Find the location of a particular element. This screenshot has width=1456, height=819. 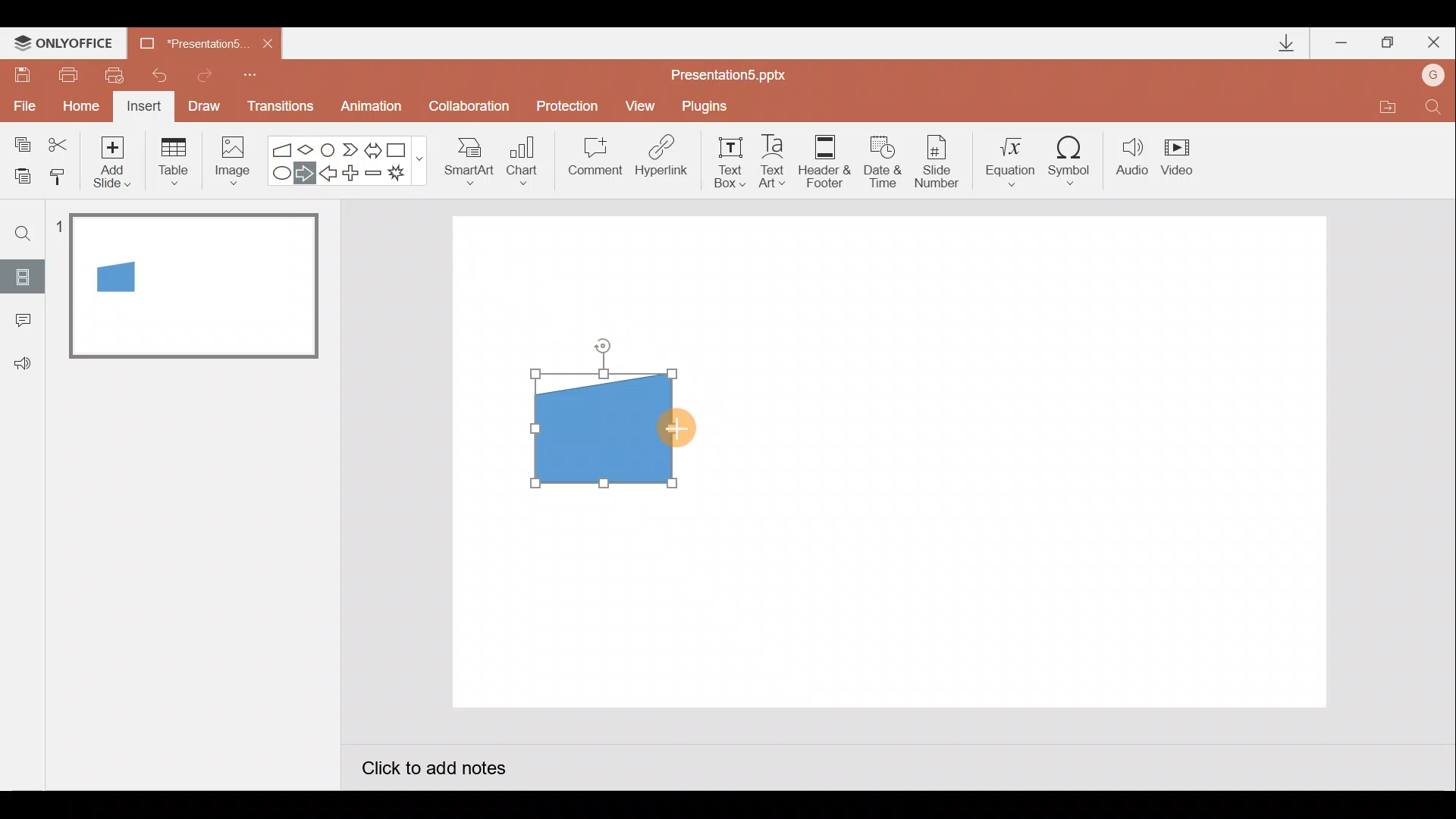

Animation is located at coordinates (373, 108).